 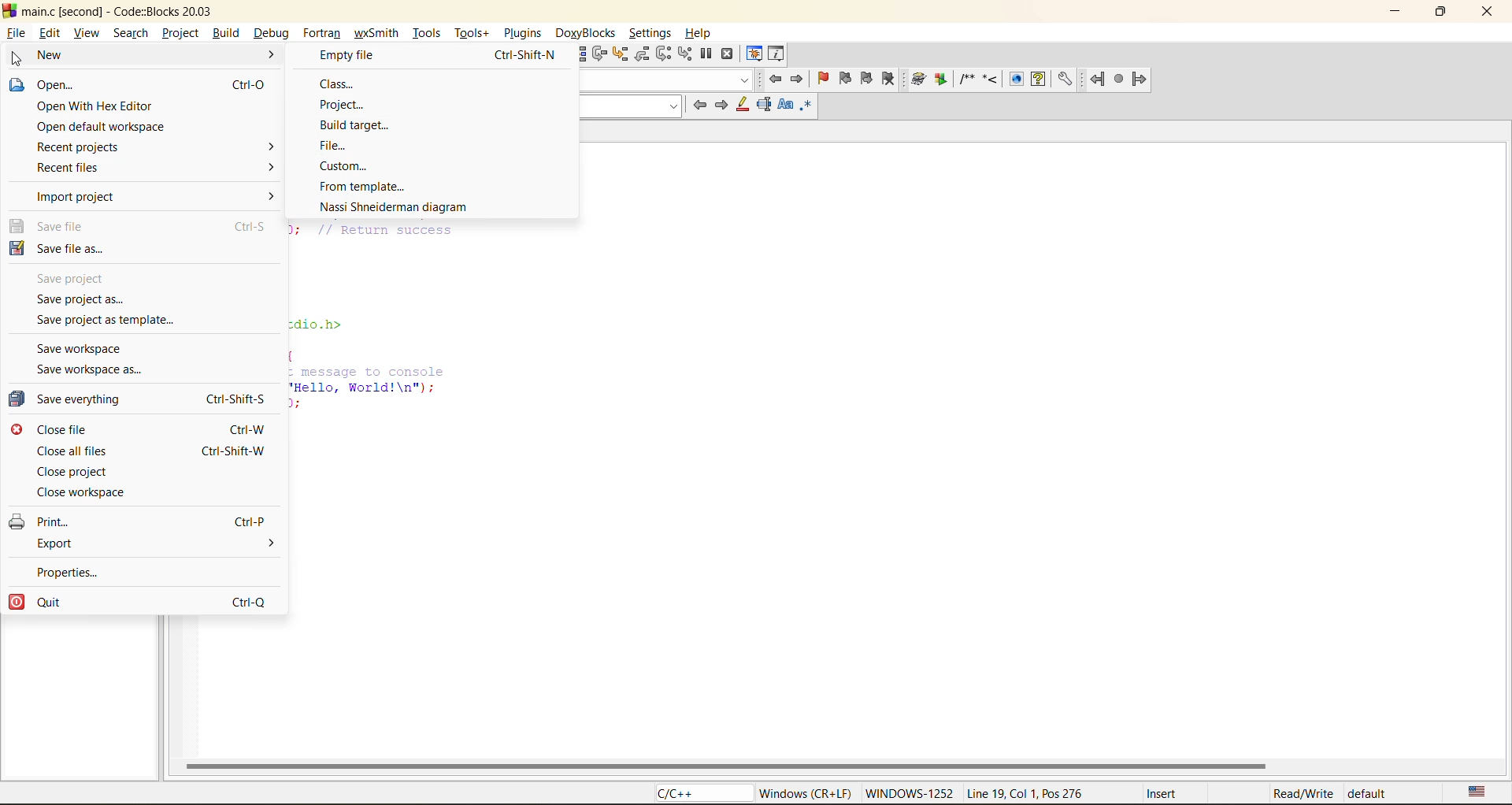 What do you see at coordinates (75, 400) in the screenshot?
I see `save everything` at bounding box center [75, 400].